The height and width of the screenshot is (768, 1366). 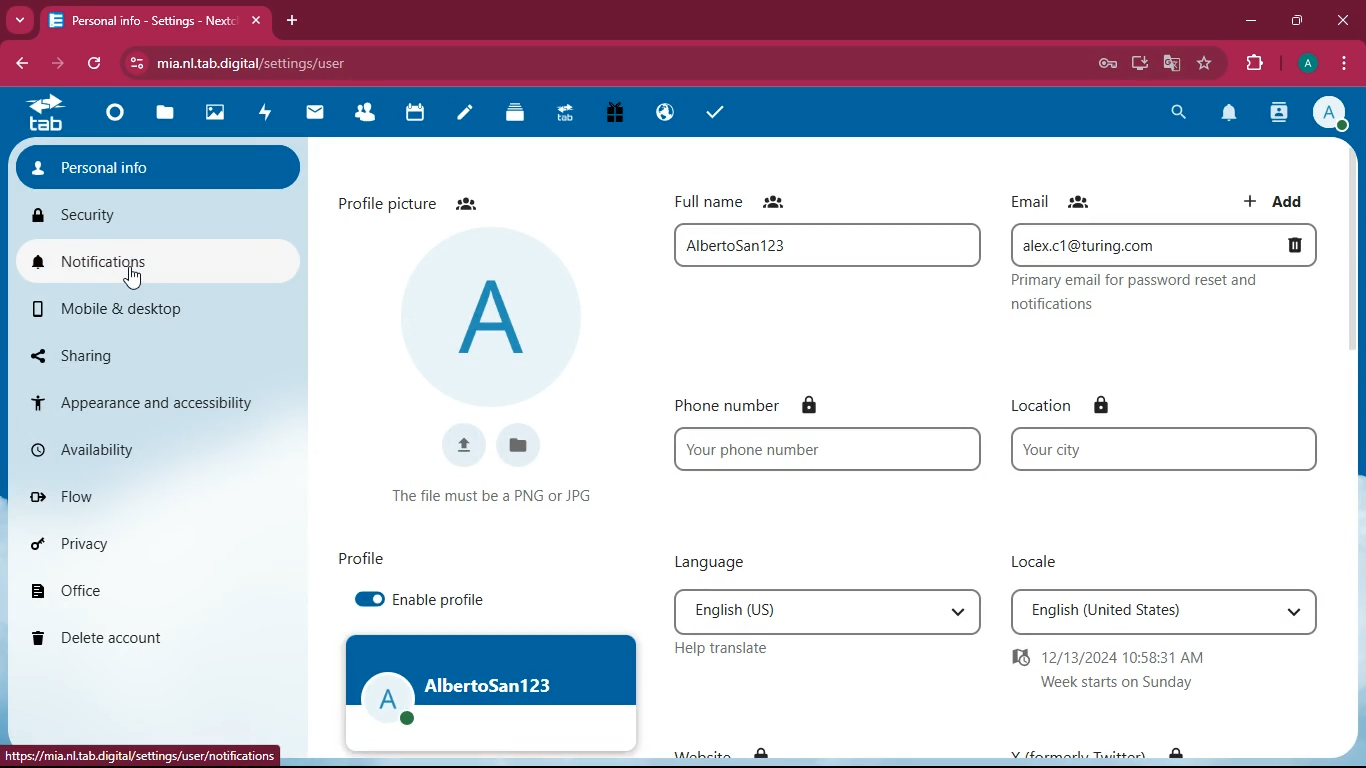 What do you see at coordinates (514, 113) in the screenshot?
I see `layers` at bounding box center [514, 113].